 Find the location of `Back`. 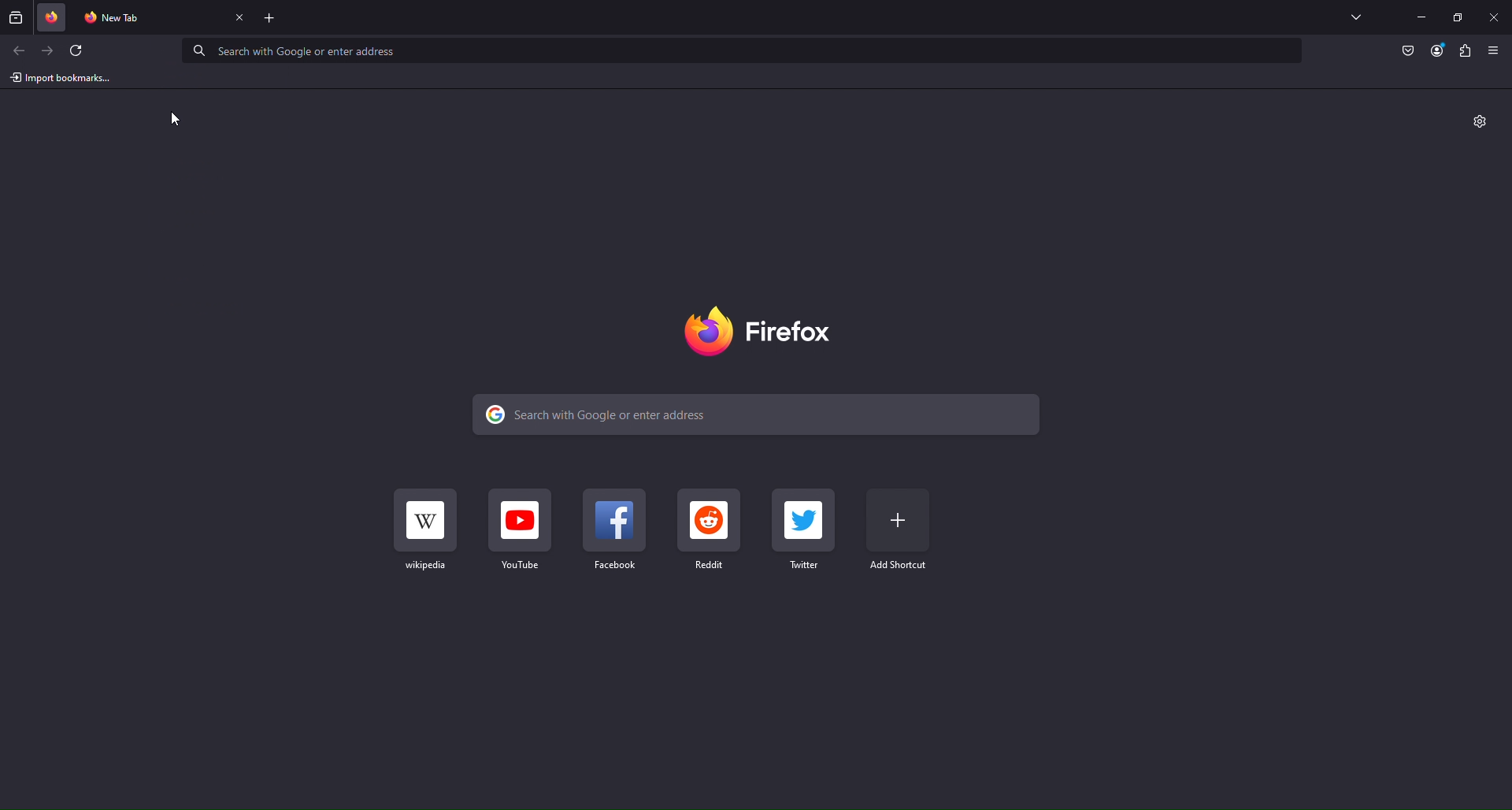

Back is located at coordinates (18, 50).